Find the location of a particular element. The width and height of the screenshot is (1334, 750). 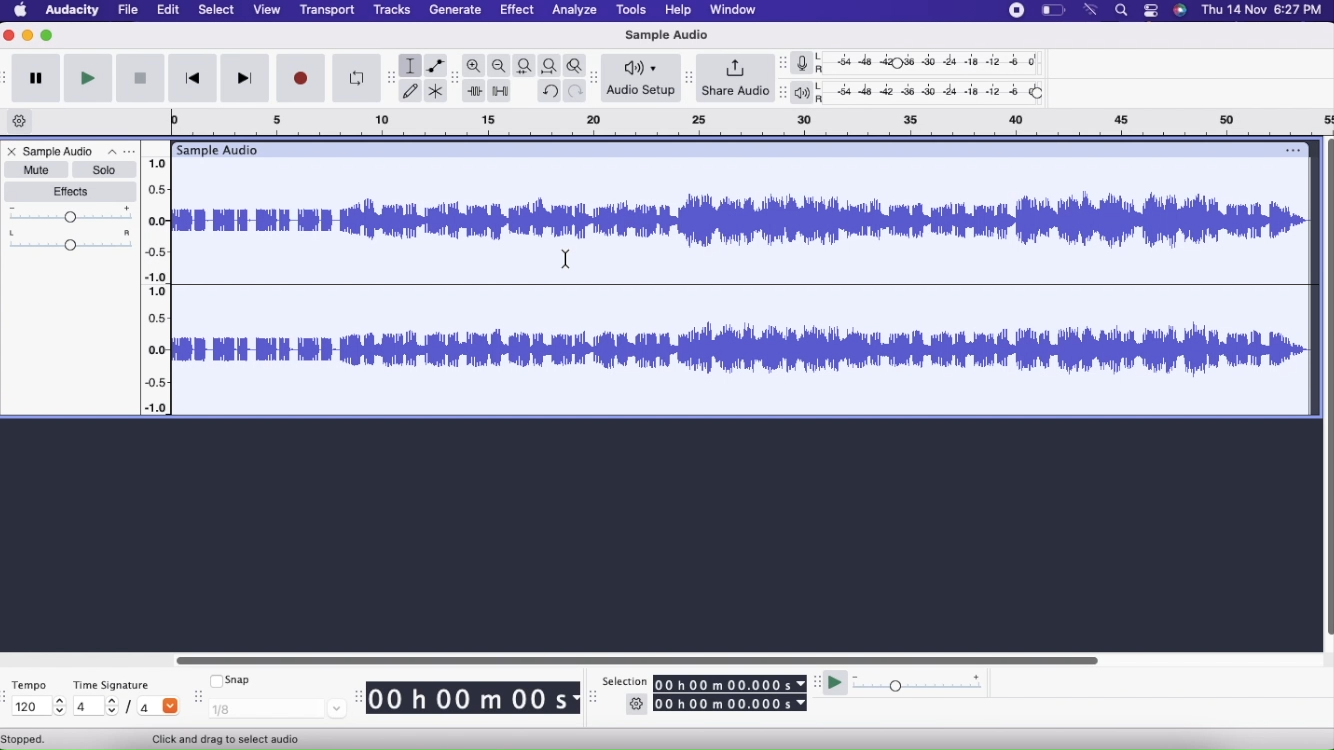

00 h 00 m 18.634 s is located at coordinates (730, 704).